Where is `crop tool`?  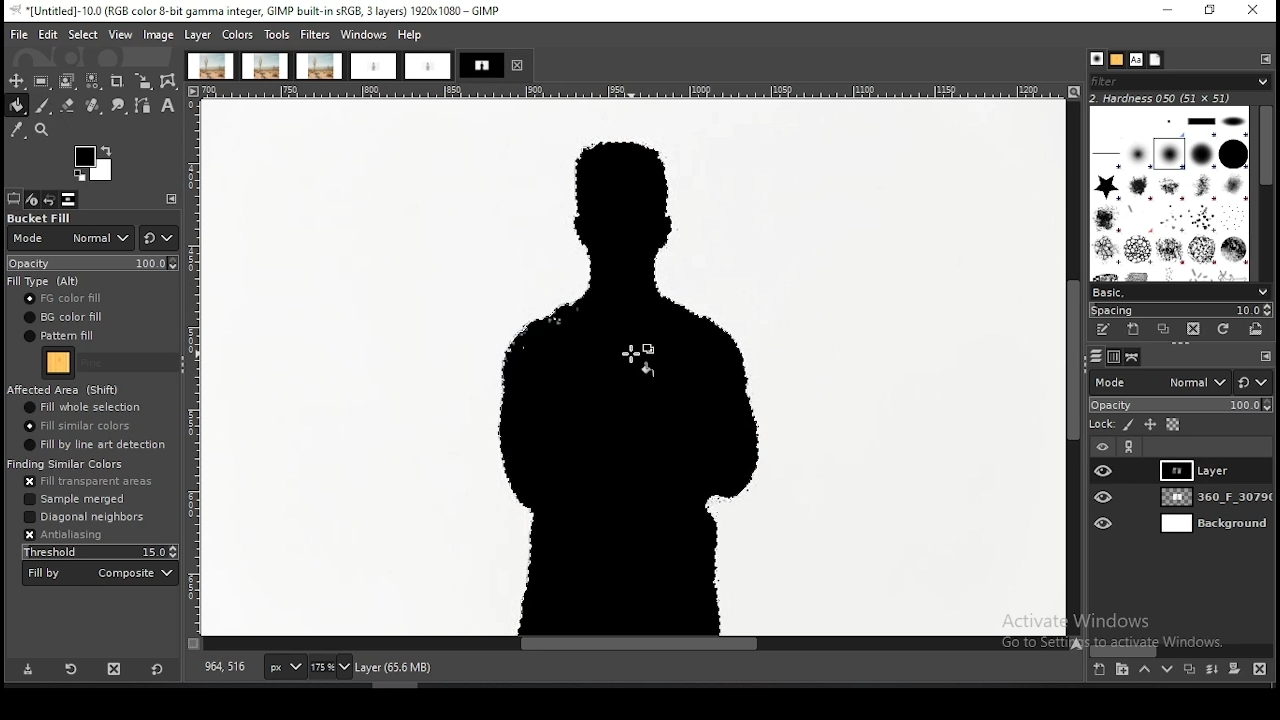
crop tool is located at coordinates (117, 83).